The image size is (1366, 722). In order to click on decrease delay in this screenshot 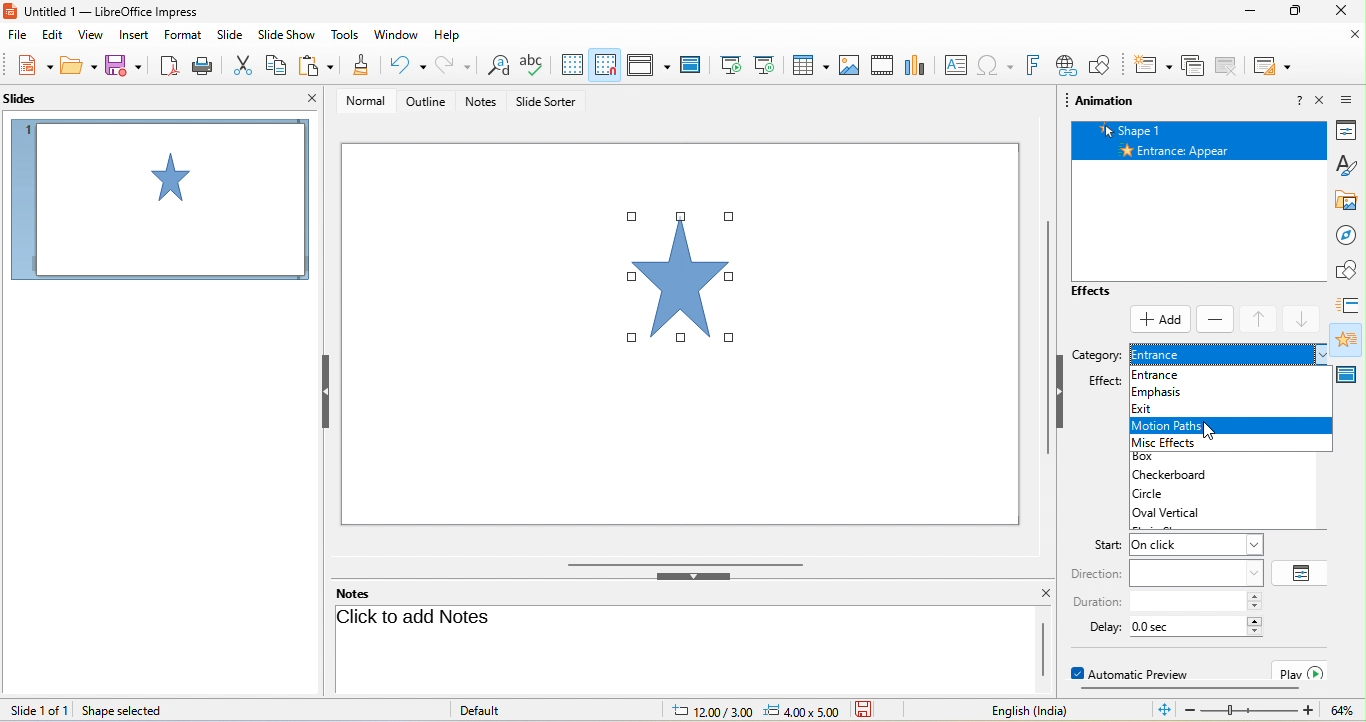, I will do `click(1255, 632)`.